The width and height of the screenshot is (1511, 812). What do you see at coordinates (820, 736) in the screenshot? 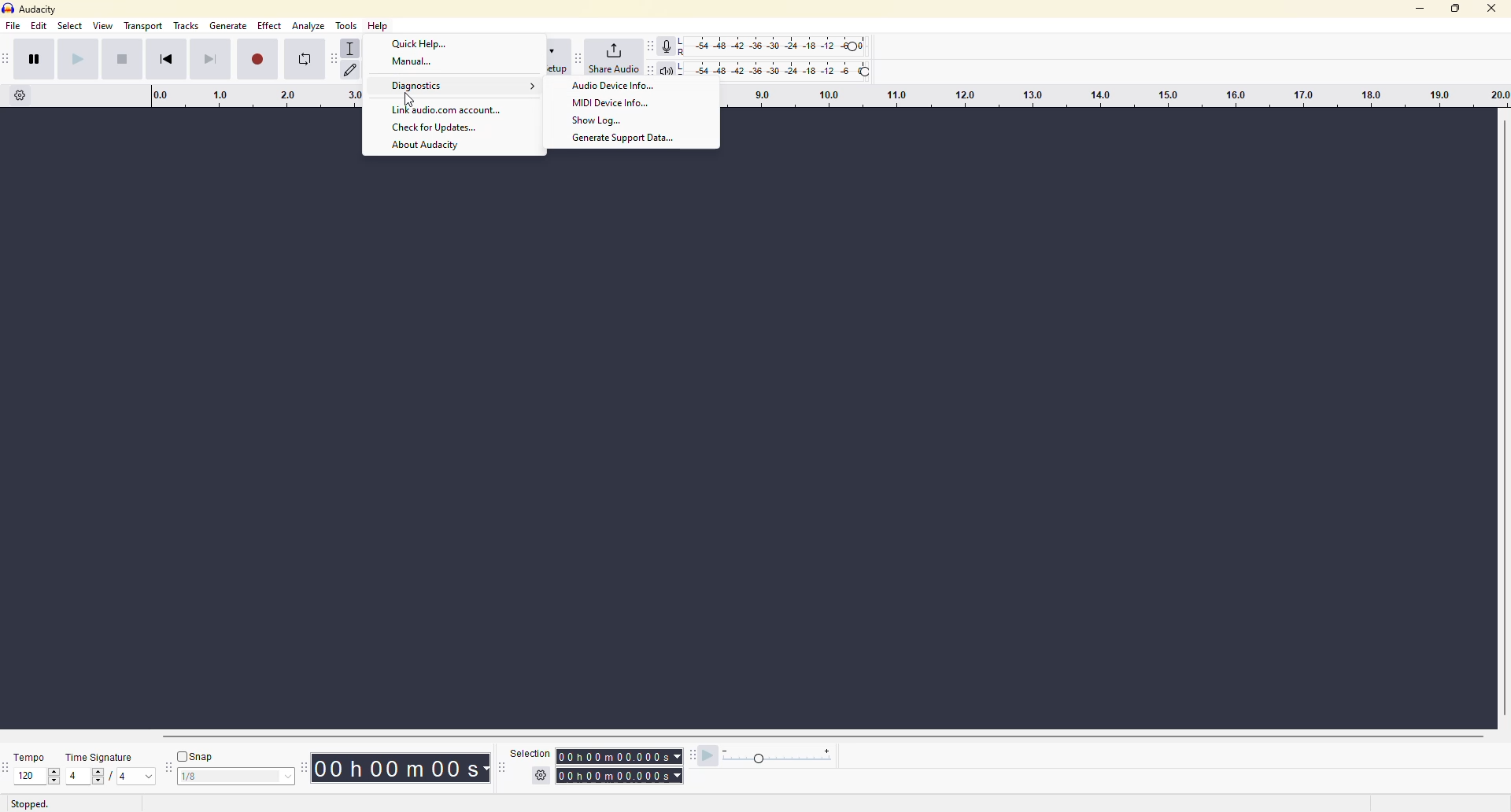
I see `horizontal scrollbar` at bounding box center [820, 736].